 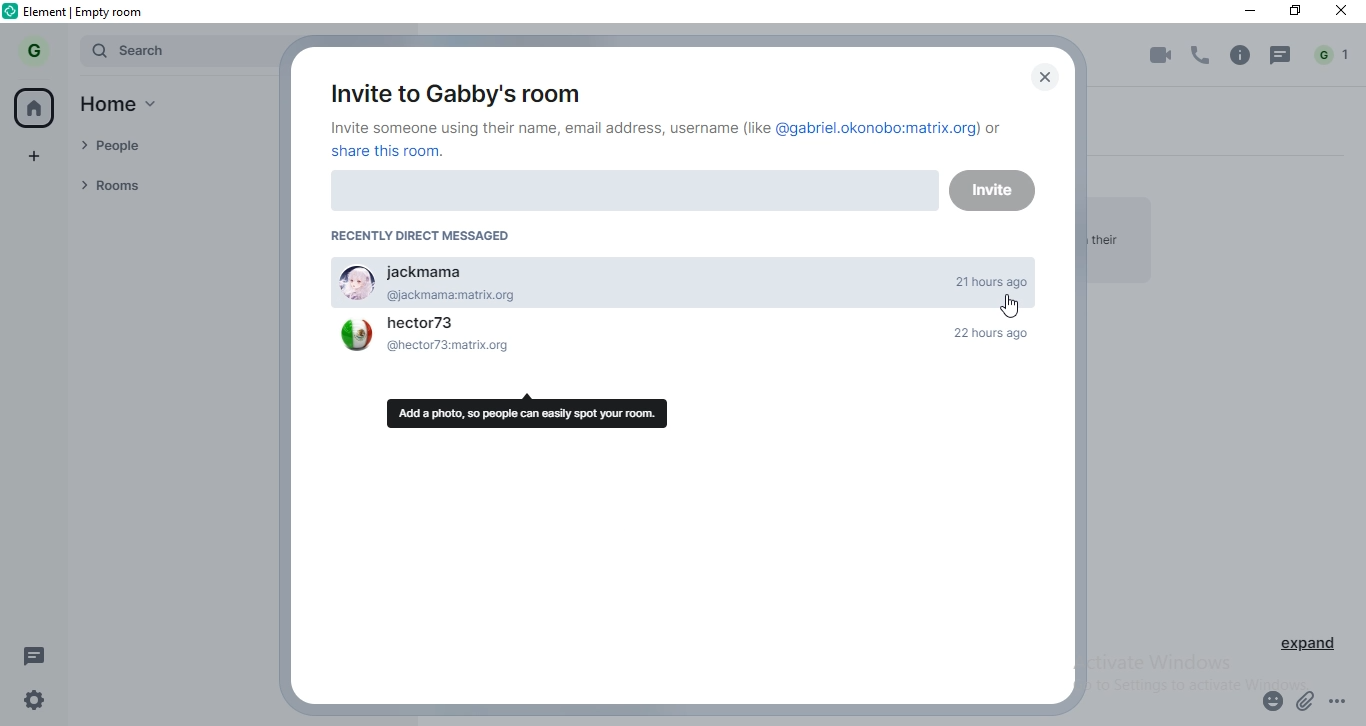 I want to click on jackmama, so click(x=682, y=273).